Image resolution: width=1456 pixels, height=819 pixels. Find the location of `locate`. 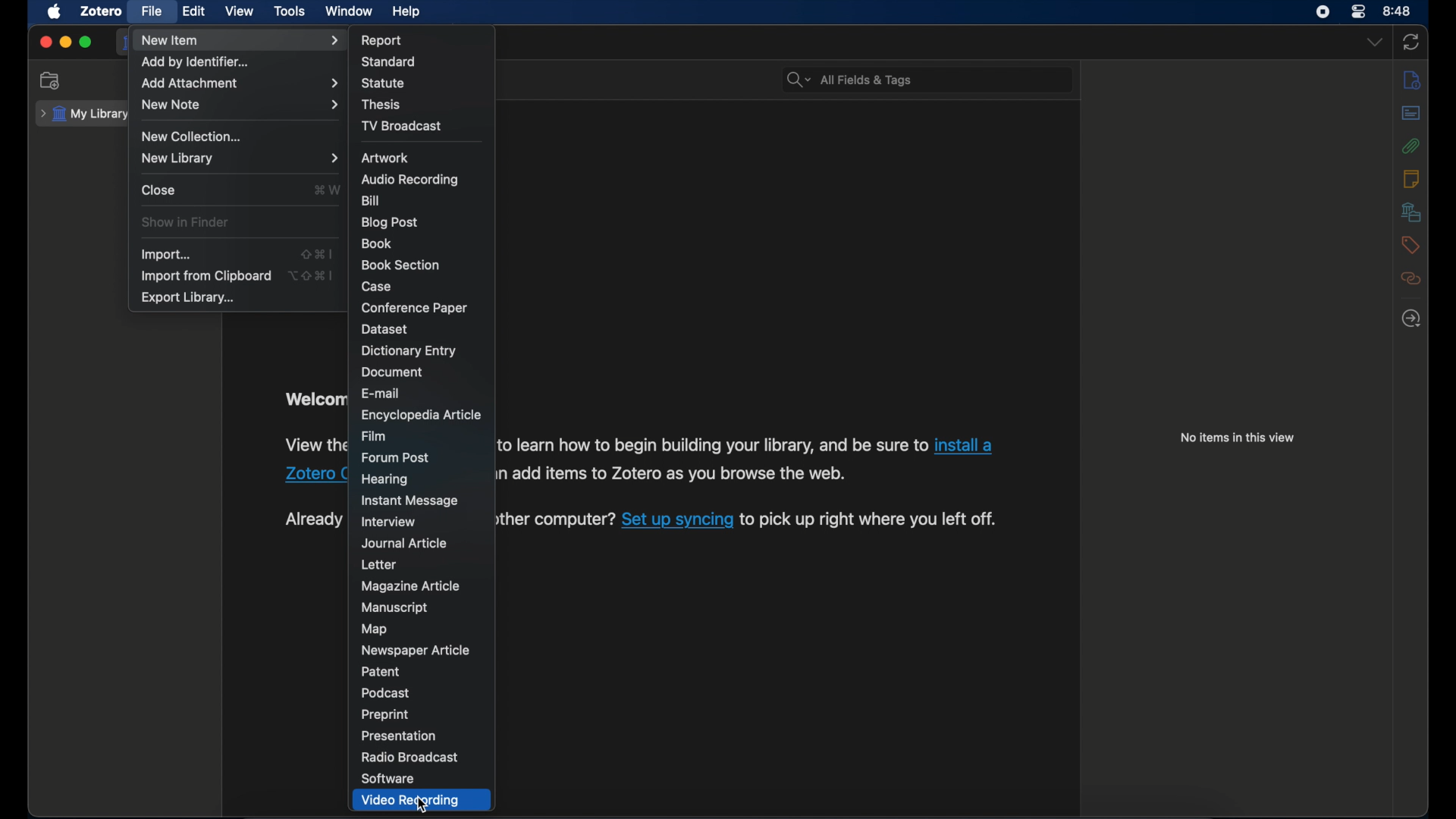

locate is located at coordinates (1414, 319).